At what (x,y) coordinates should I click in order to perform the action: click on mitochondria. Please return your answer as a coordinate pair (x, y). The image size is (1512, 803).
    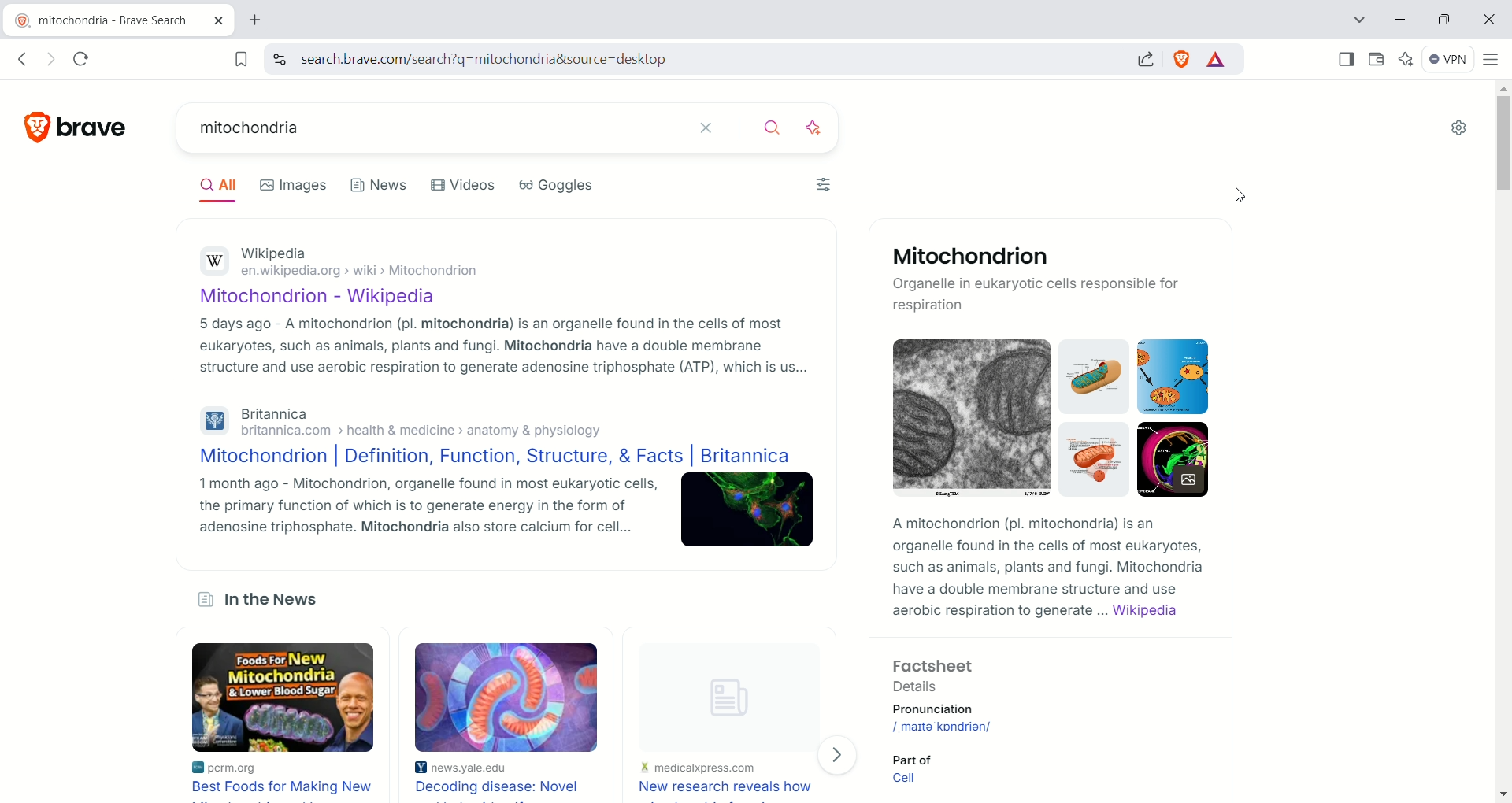
    Looking at the image, I should click on (433, 128).